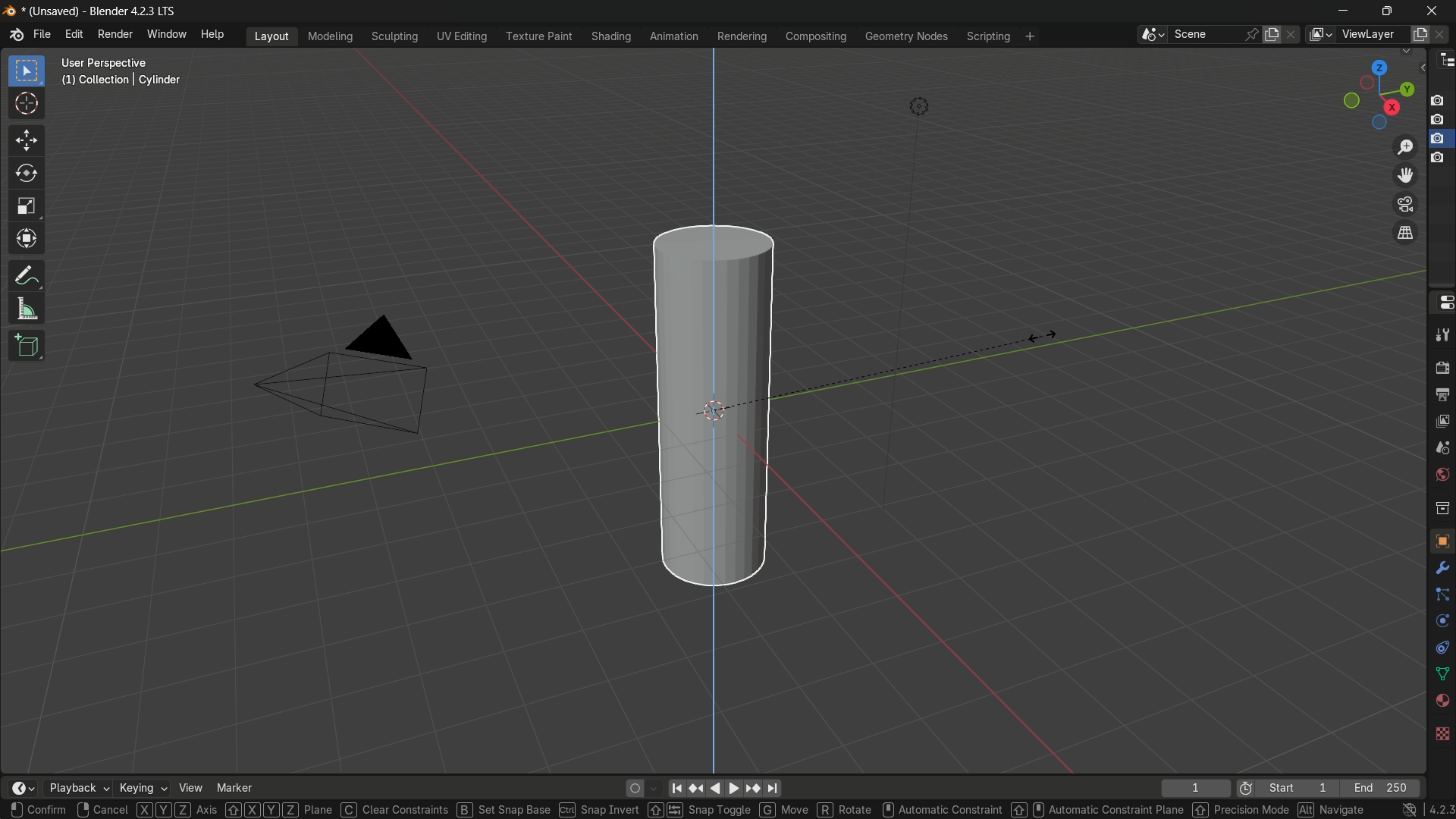 This screenshot has width=1456, height=819. What do you see at coordinates (394, 810) in the screenshot?
I see `press C for clear Constraints` at bounding box center [394, 810].